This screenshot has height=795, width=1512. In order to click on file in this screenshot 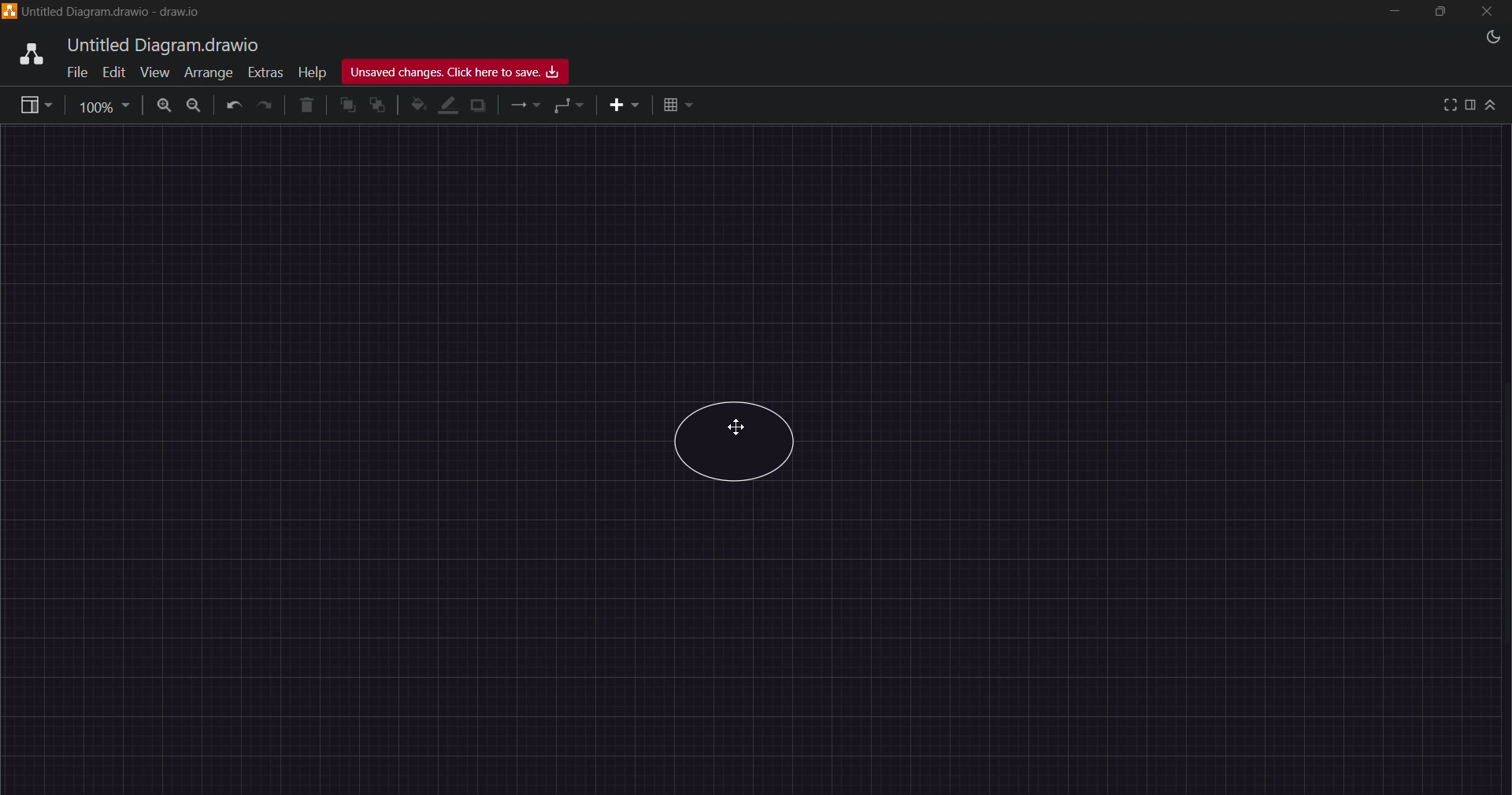, I will do `click(75, 73)`.